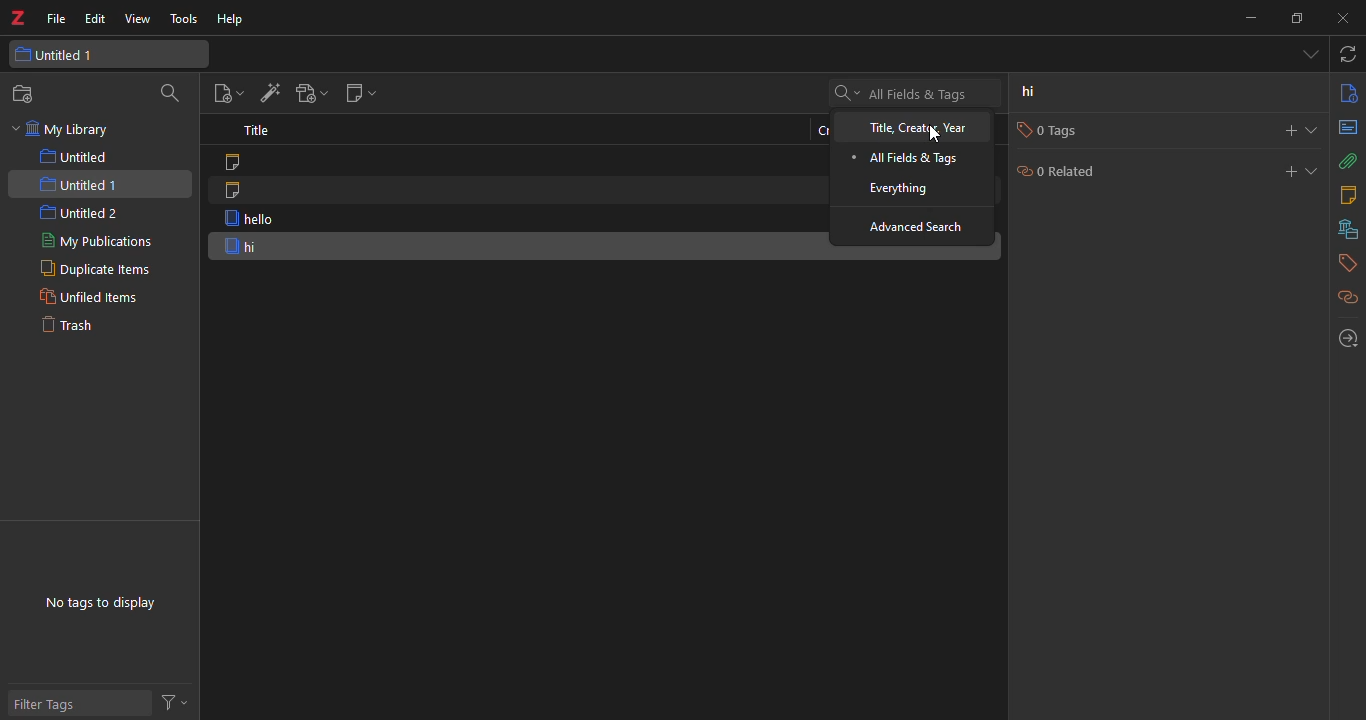 Image resolution: width=1366 pixels, height=720 pixels. Describe the element at coordinates (1346, 16) in the screenshot. I see `close` at that location.